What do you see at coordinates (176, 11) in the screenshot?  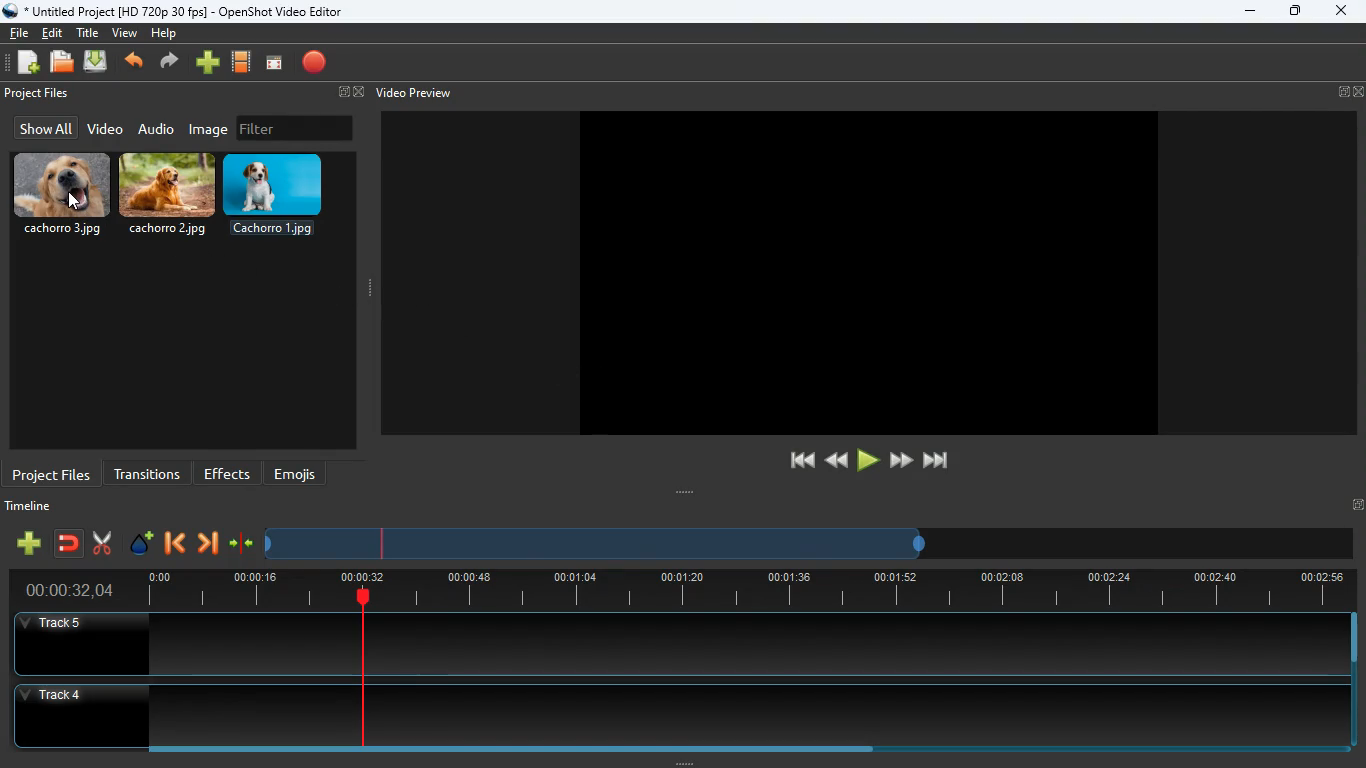 I see `* Untitled Project [HD 720p 30 fps] - OpenShot Video Editor` at bounding box center [176, 11].